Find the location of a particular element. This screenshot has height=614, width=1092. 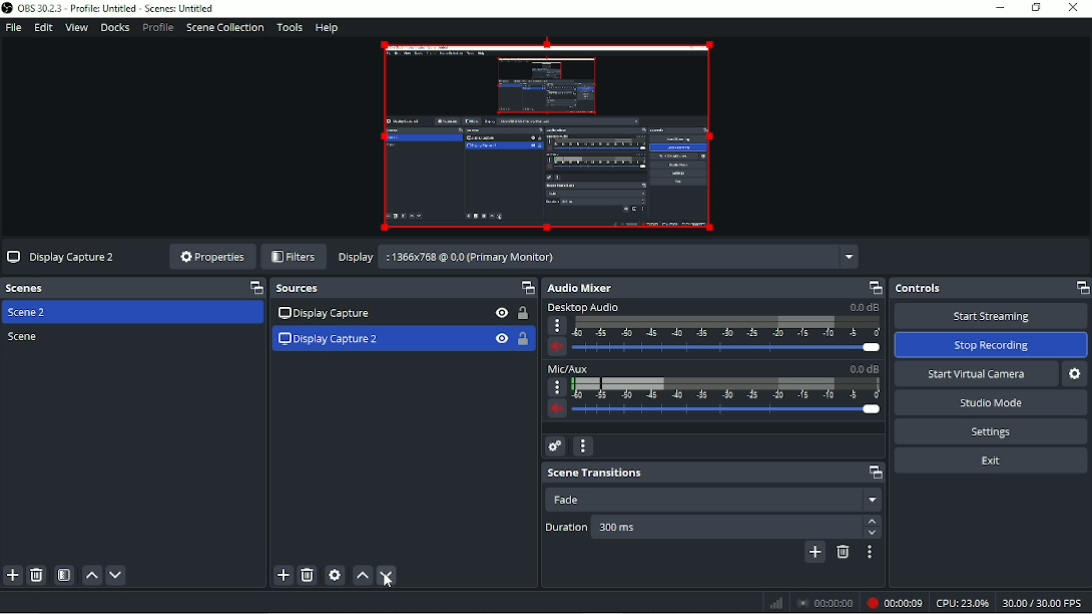

Add configurable transition is located at coordinates (814, 554).